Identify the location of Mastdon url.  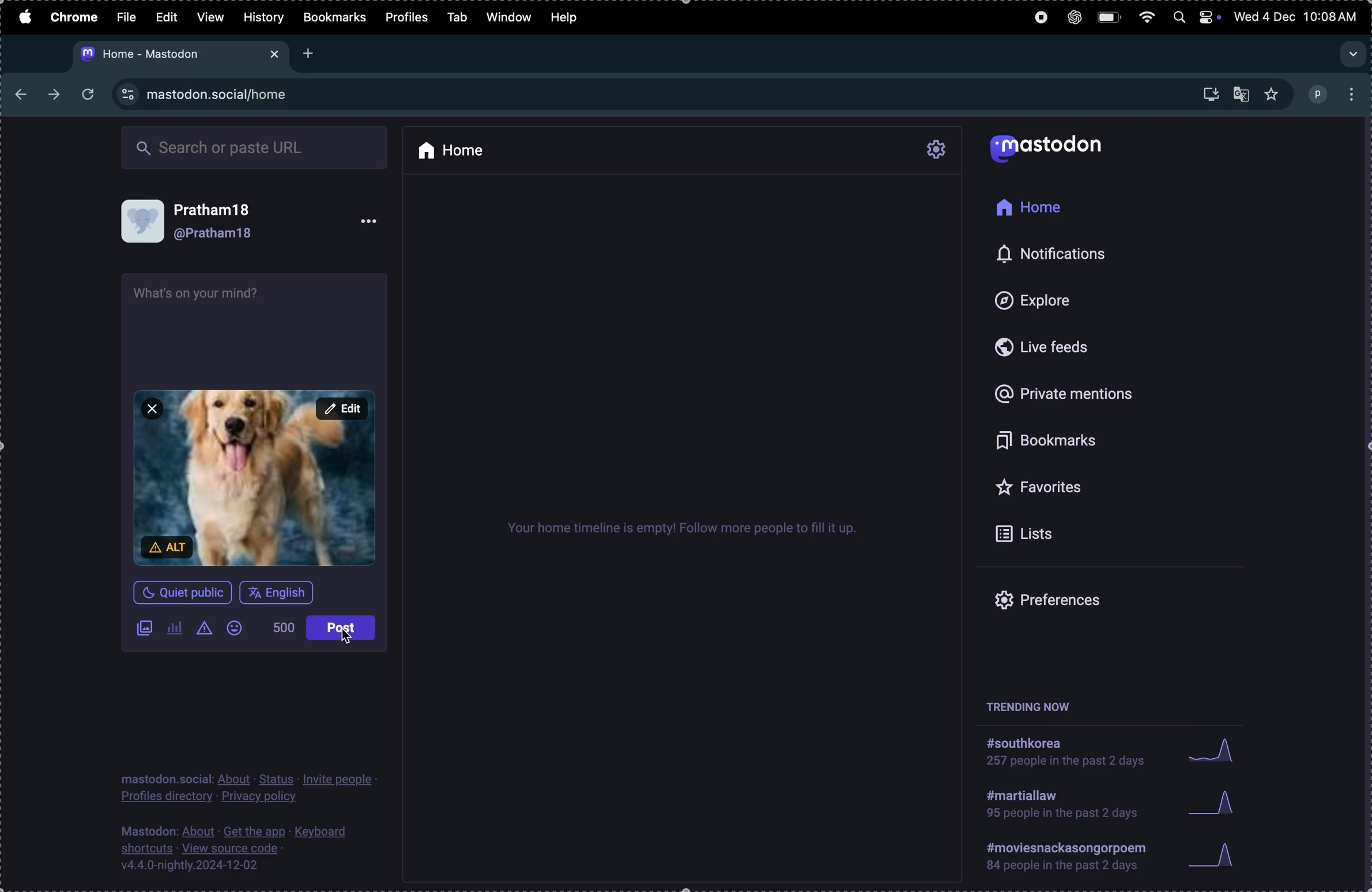
(221, 94).